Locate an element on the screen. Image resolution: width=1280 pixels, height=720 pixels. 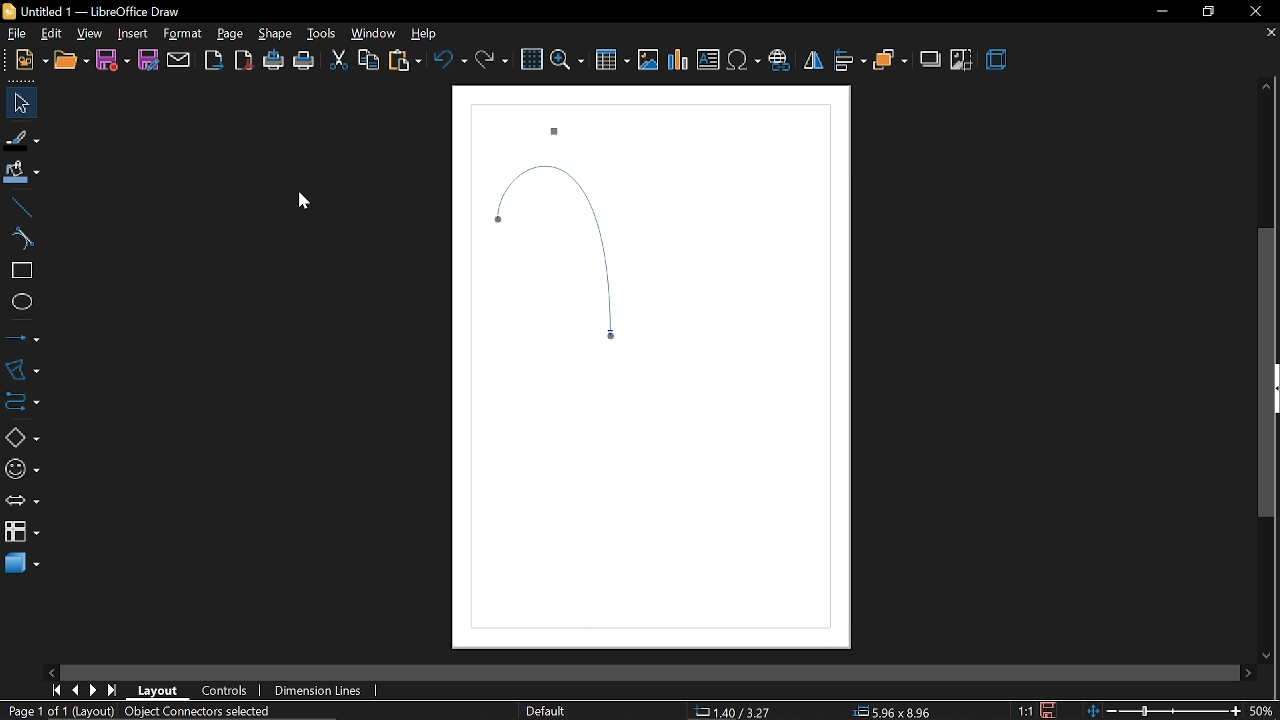
move left is located at coordinates (51, 671).